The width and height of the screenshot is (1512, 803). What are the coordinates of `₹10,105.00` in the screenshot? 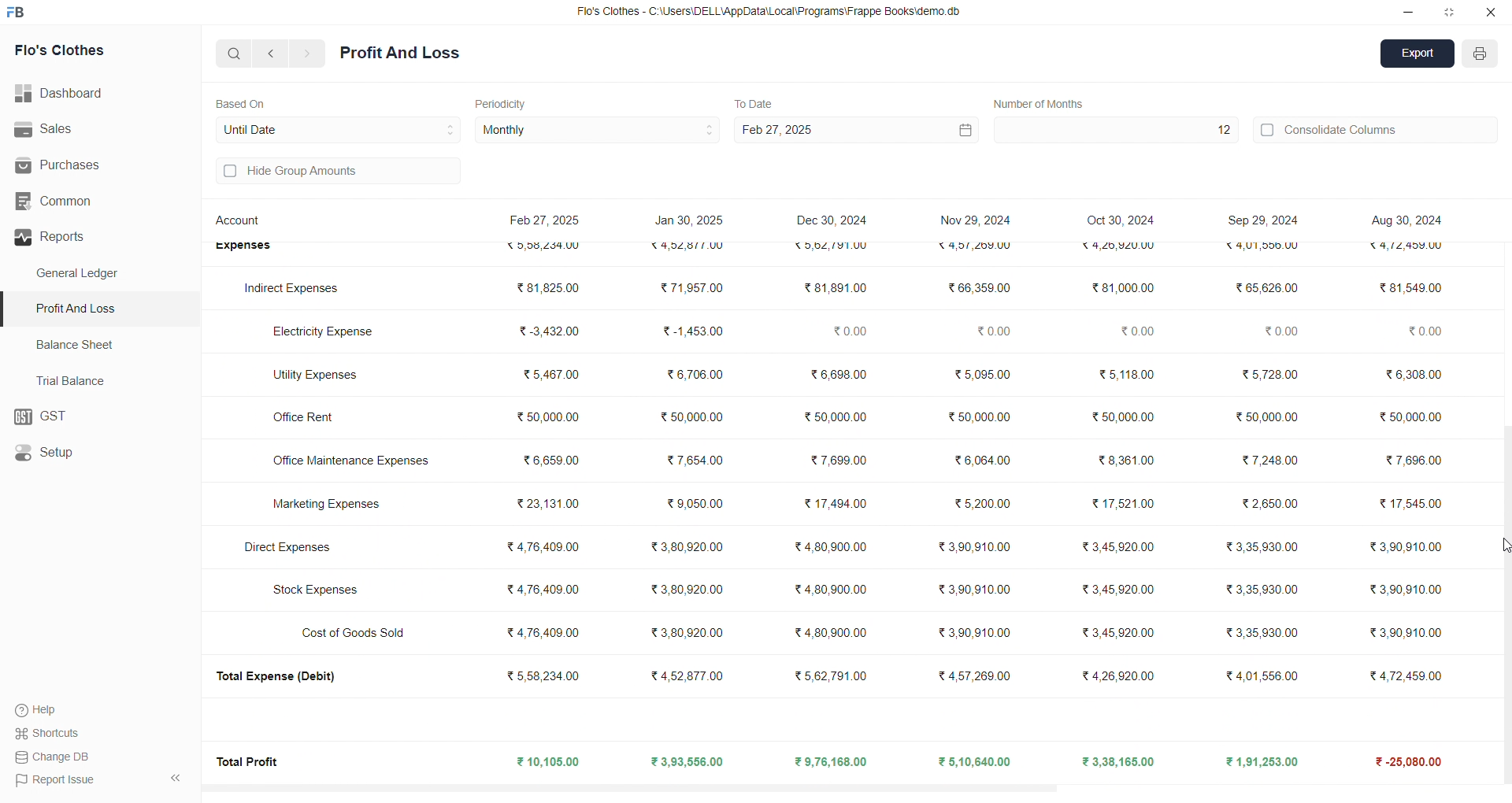 It's located at (551, 763).